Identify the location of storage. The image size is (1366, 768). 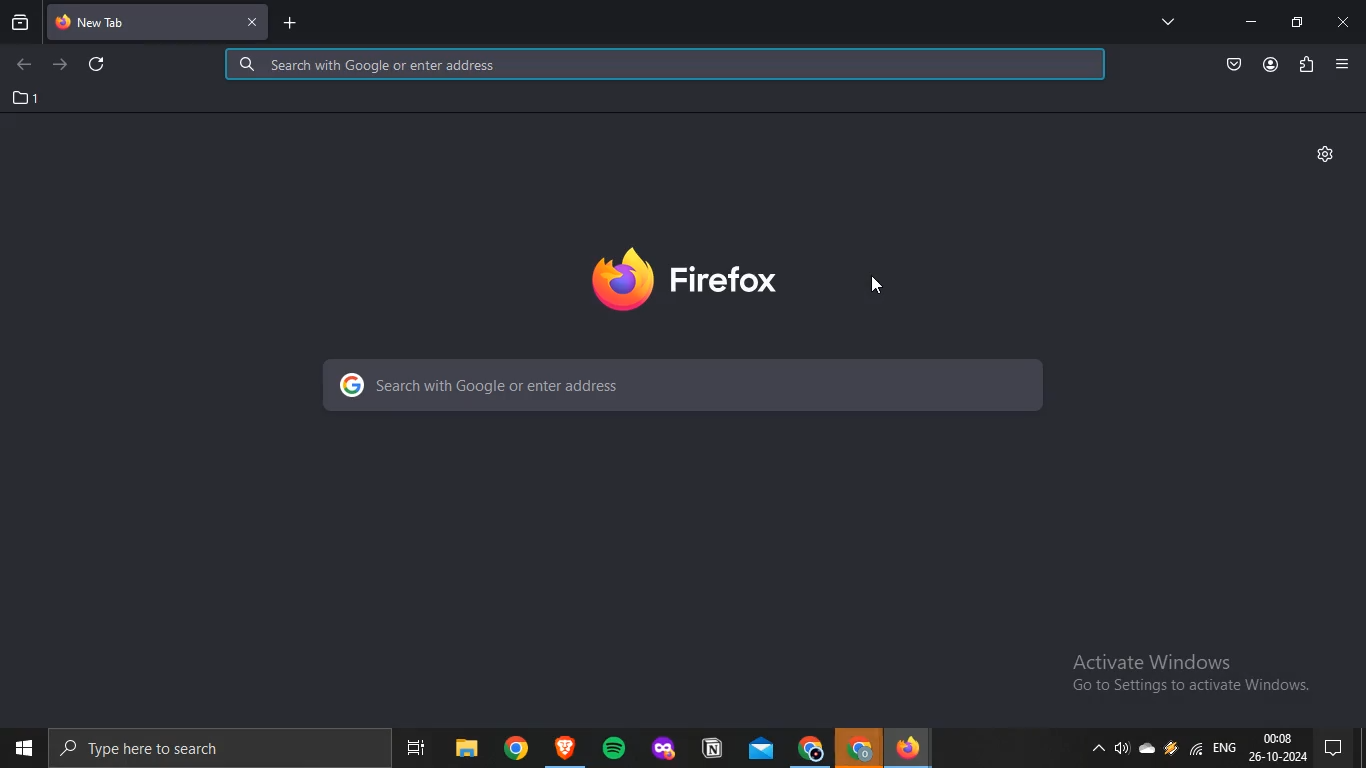
(1150, 750).